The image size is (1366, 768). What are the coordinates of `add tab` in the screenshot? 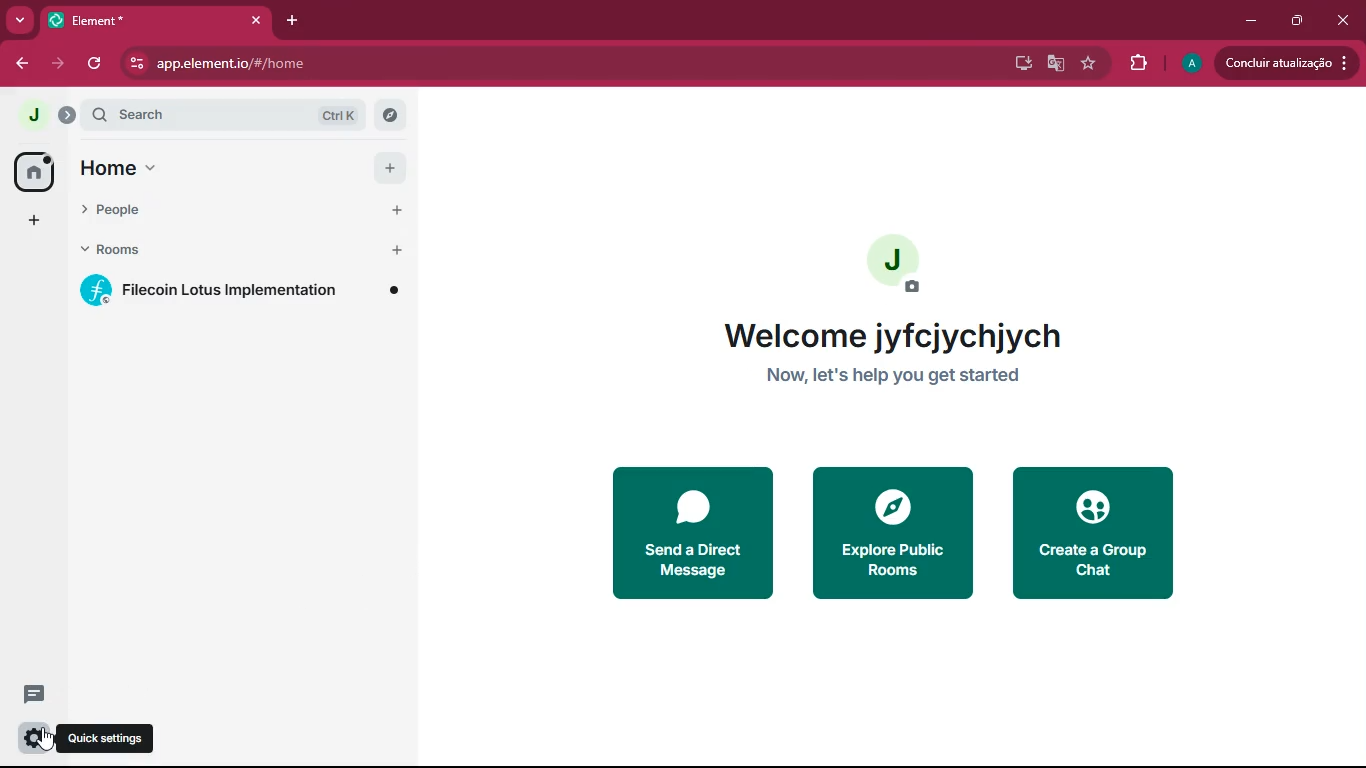 It's located at (293, 20).